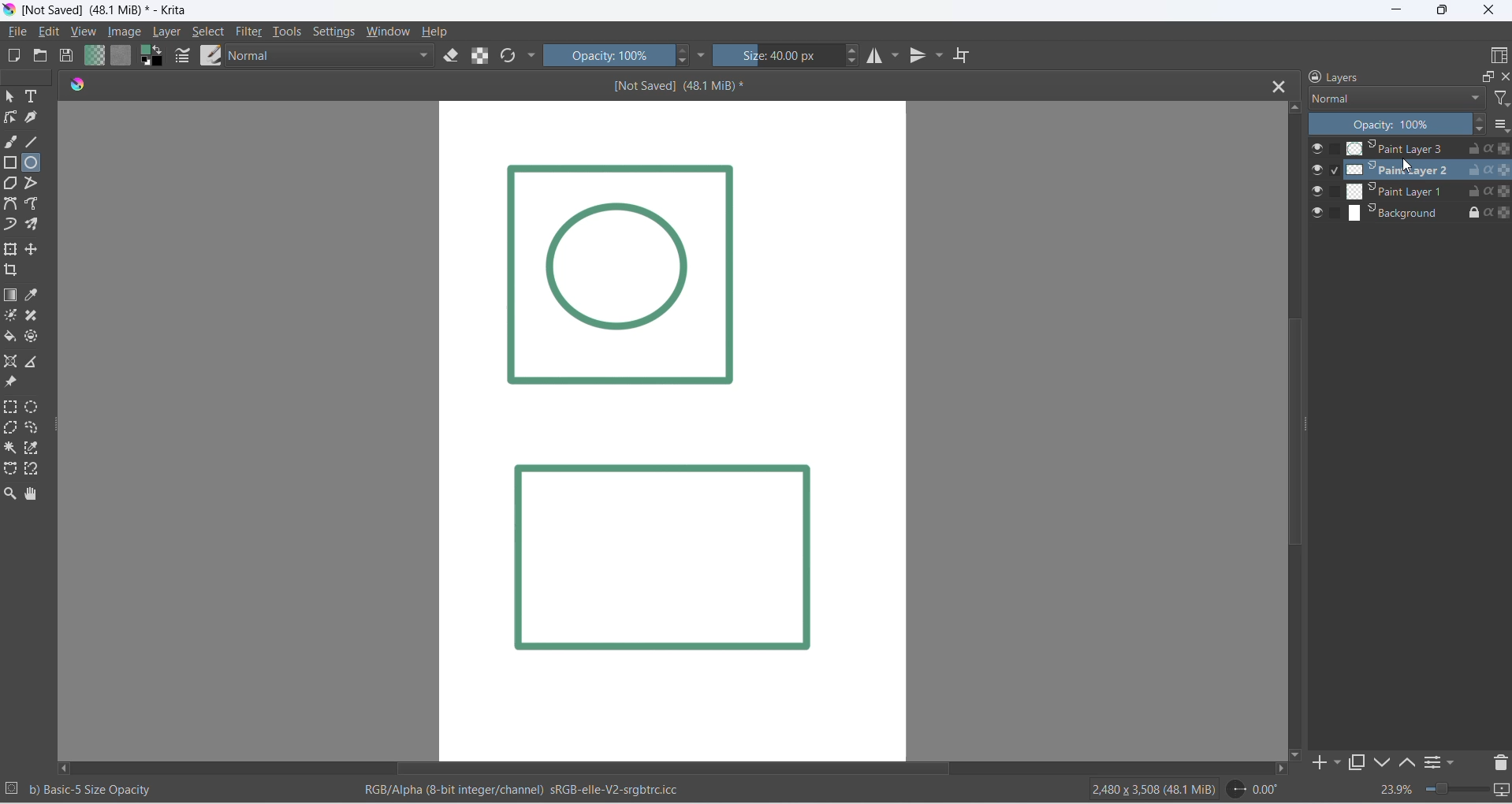 The height and width of the screenshot is (804, 1512). I want to click on tools, so click(288, 32).